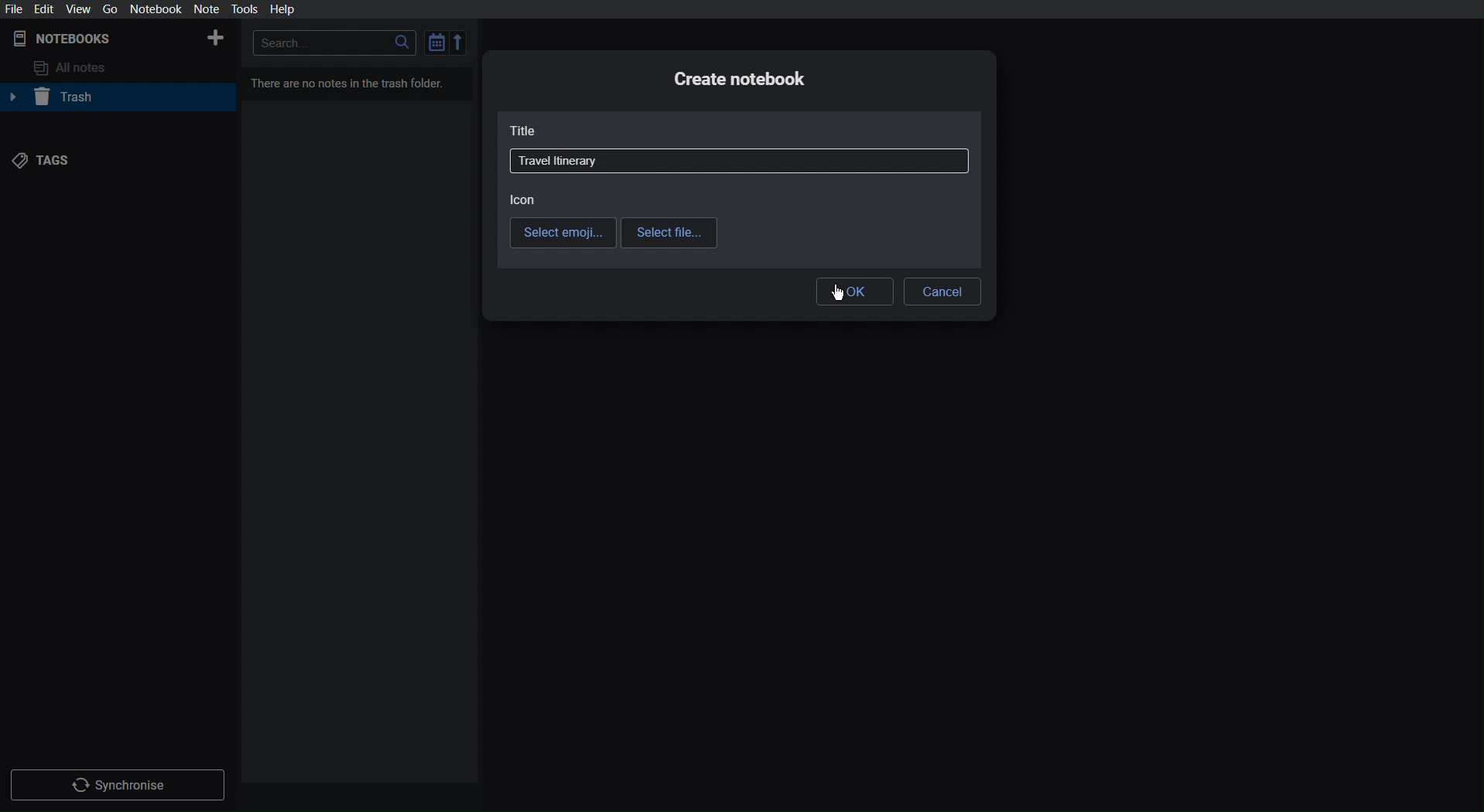 The image size is (1484, 812). I want to click on Tools, so click(244, 9).